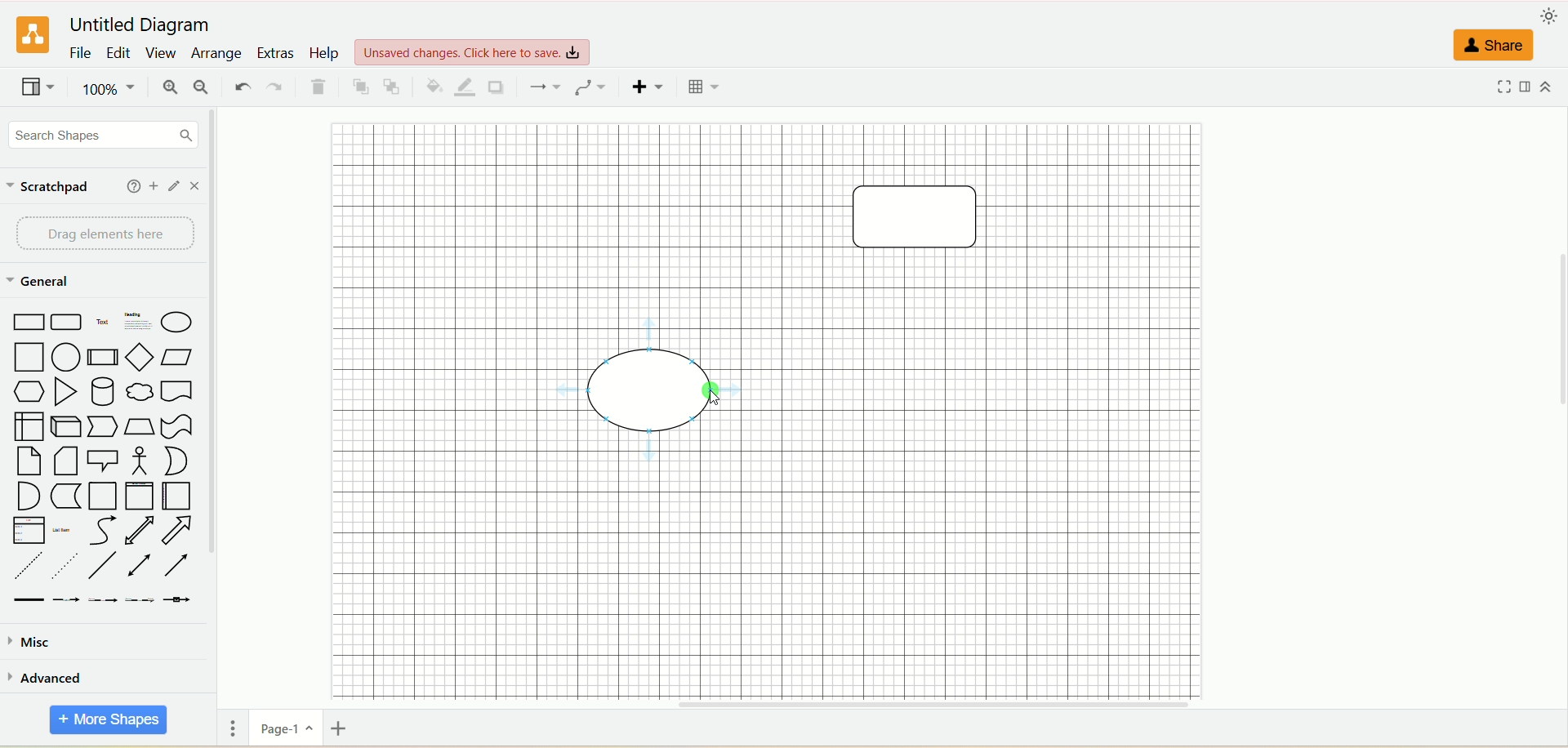 The height and width of the screenshot is (748, 1568). I want to click on table, so click(702, 87).